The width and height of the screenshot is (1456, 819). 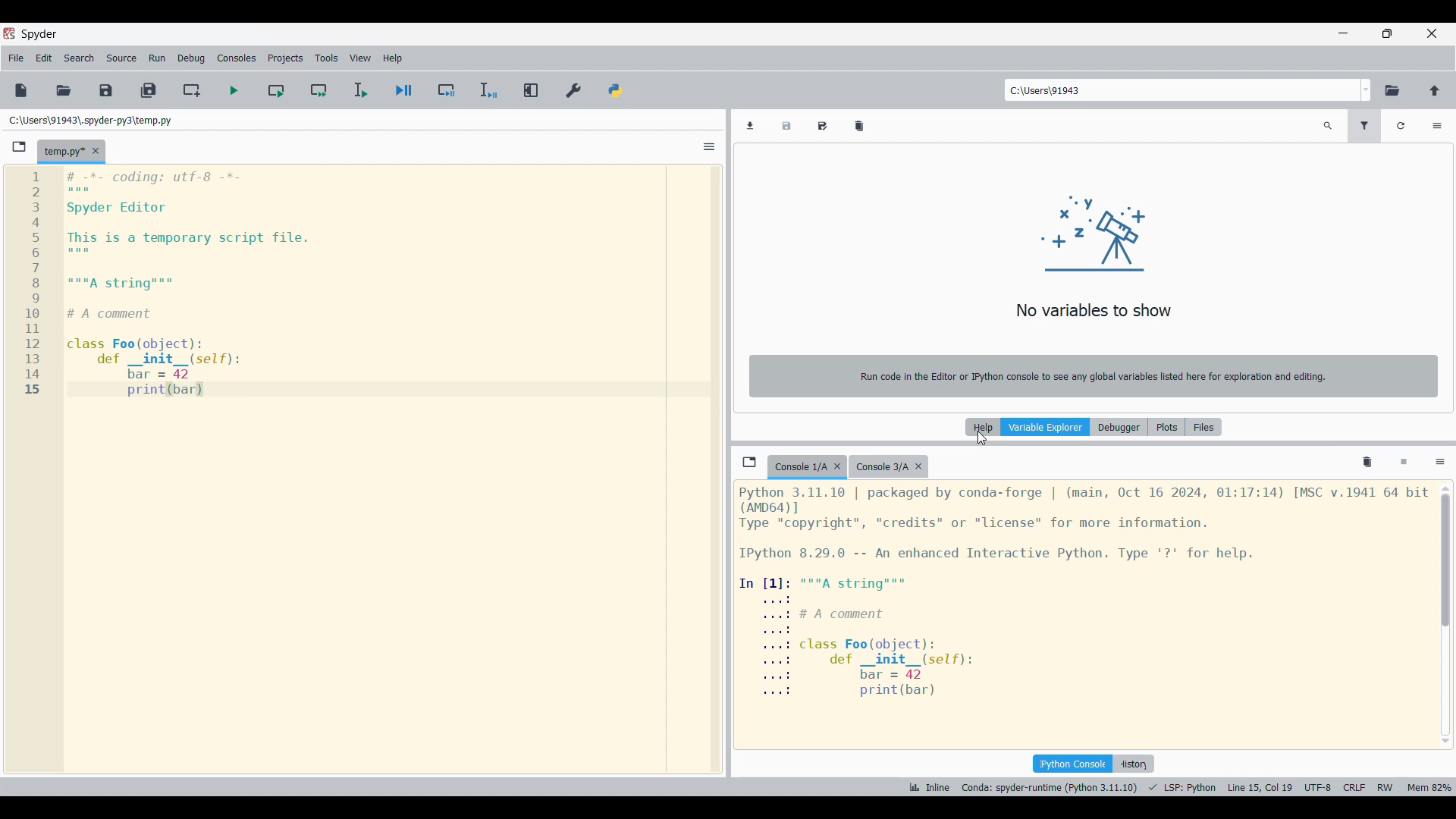 I want to click on File location, so click(x=91, y=121).